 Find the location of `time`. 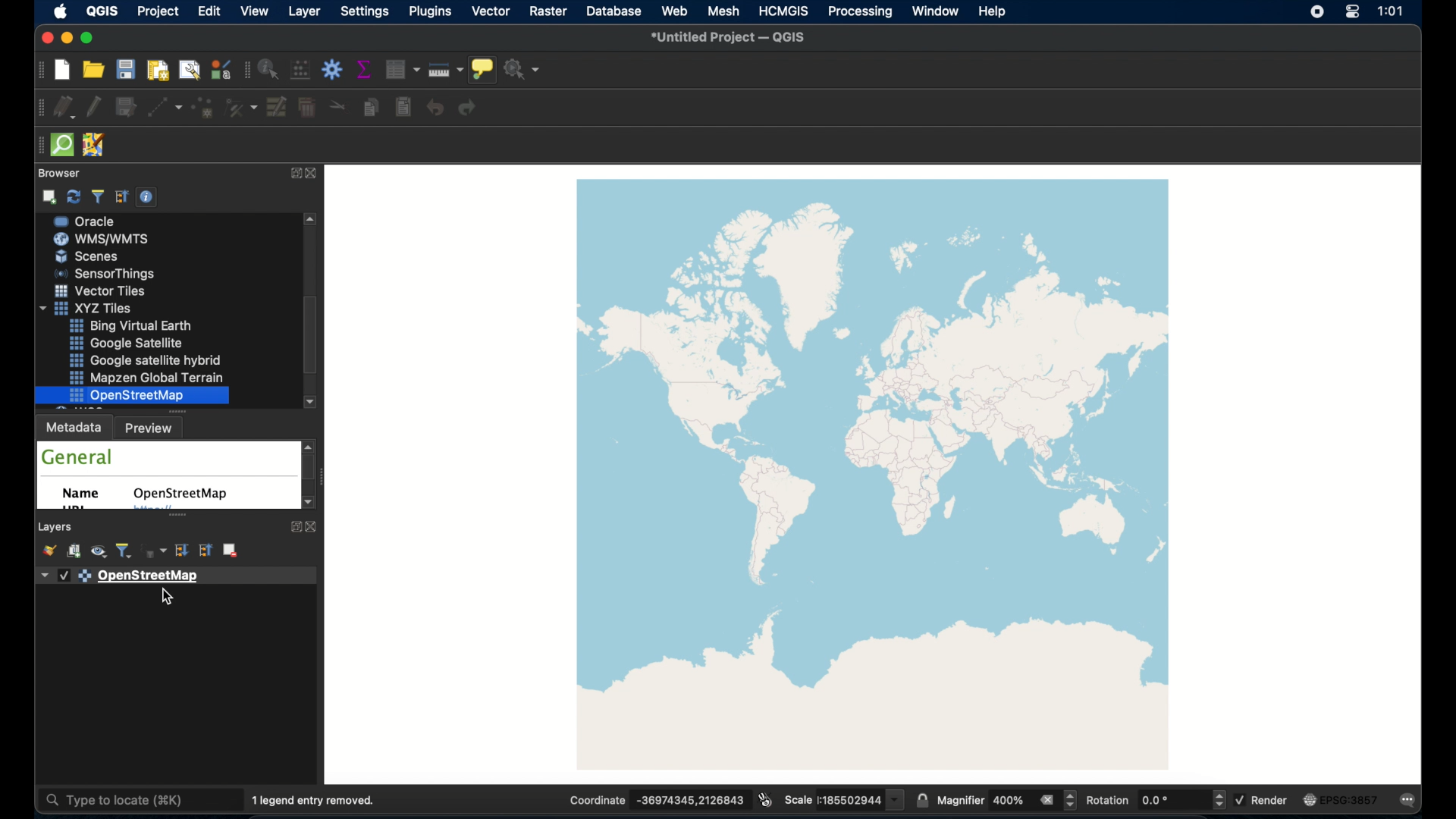

time is located at coordinates (1390, 12).